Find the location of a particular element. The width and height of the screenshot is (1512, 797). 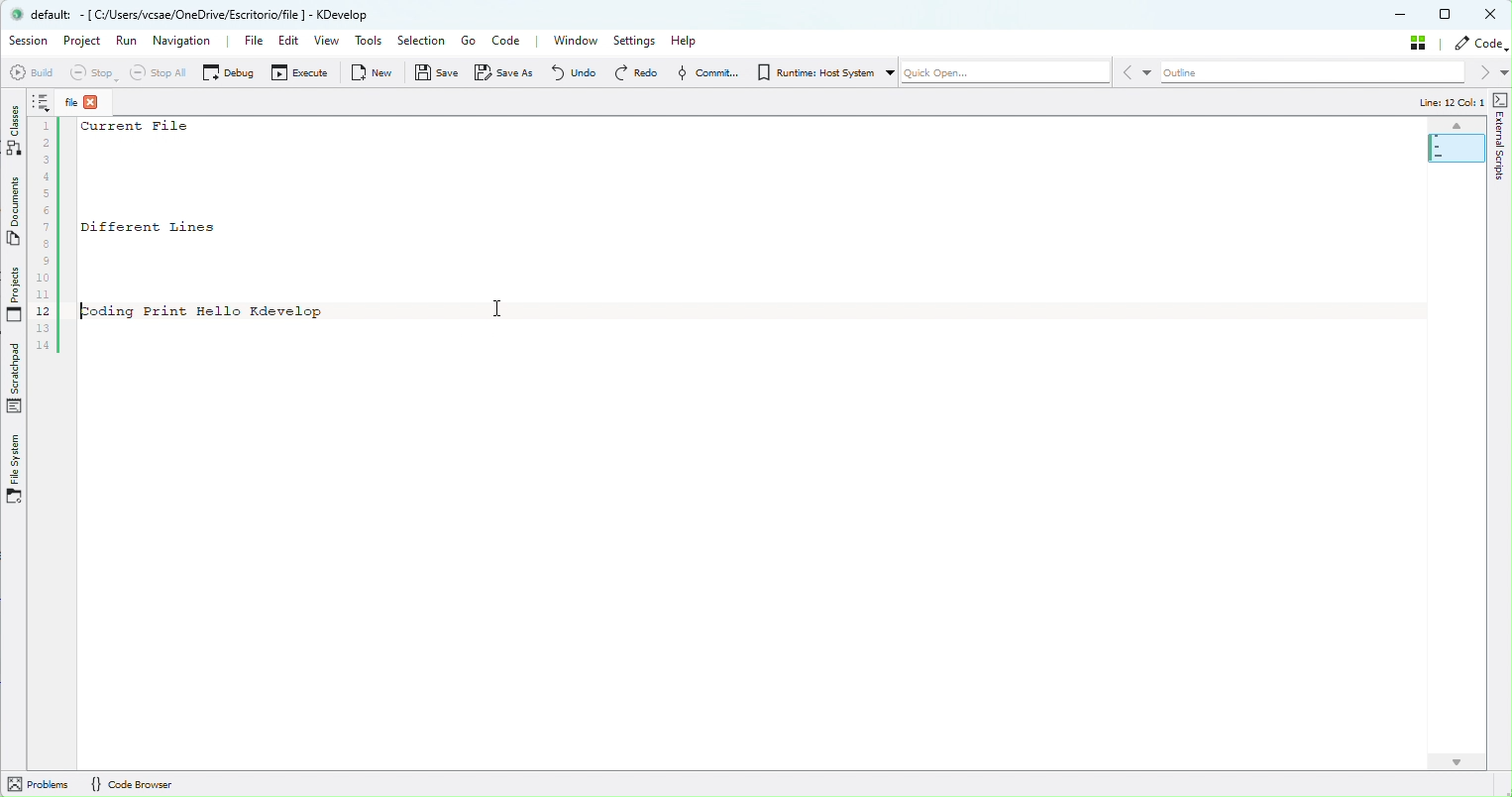

Scratchpad is located at coordinates (13, 383).